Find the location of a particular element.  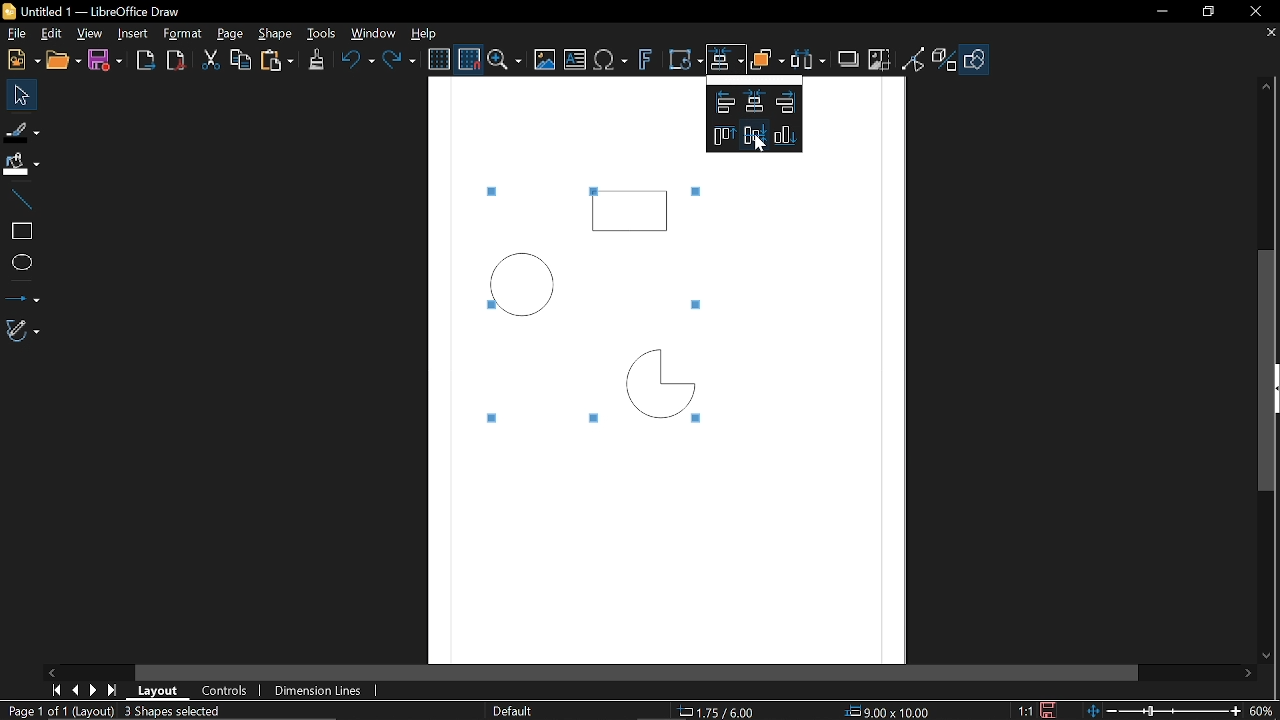

Window is located at coordinates (371, 34).